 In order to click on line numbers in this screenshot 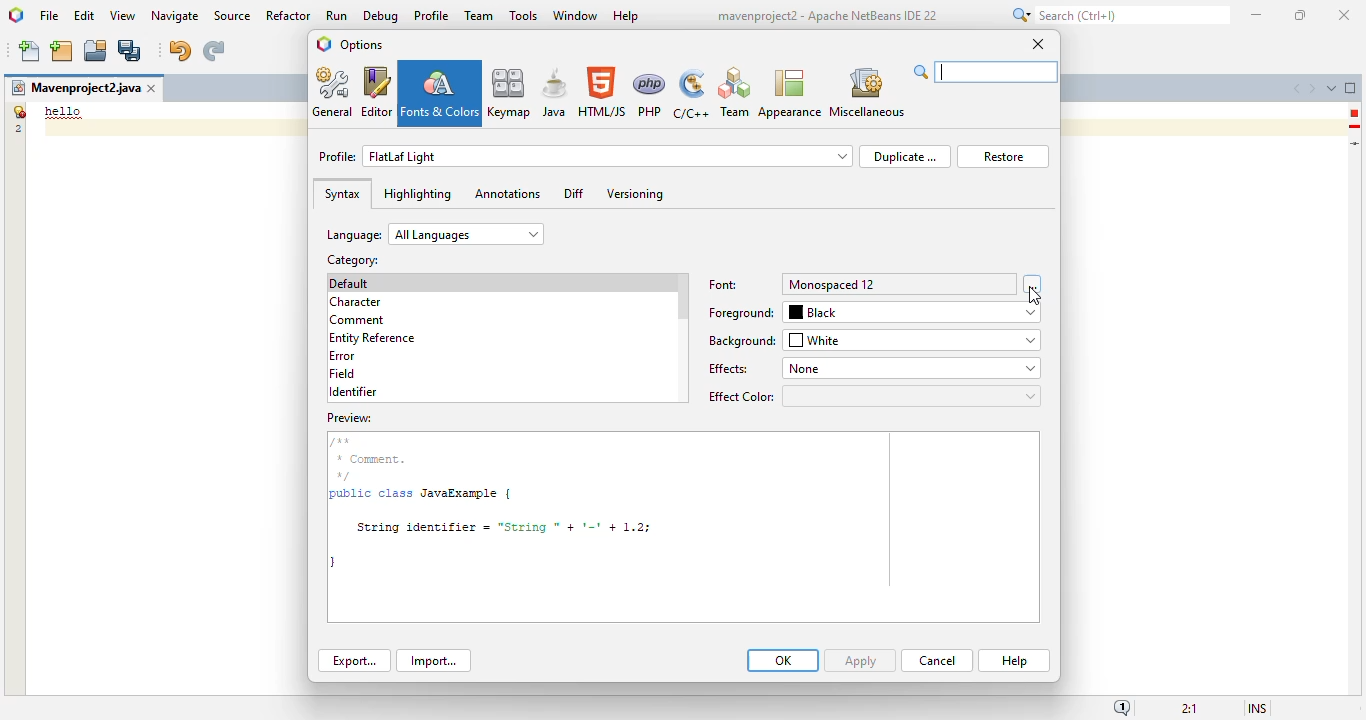, I will do `click(17, 119)`.